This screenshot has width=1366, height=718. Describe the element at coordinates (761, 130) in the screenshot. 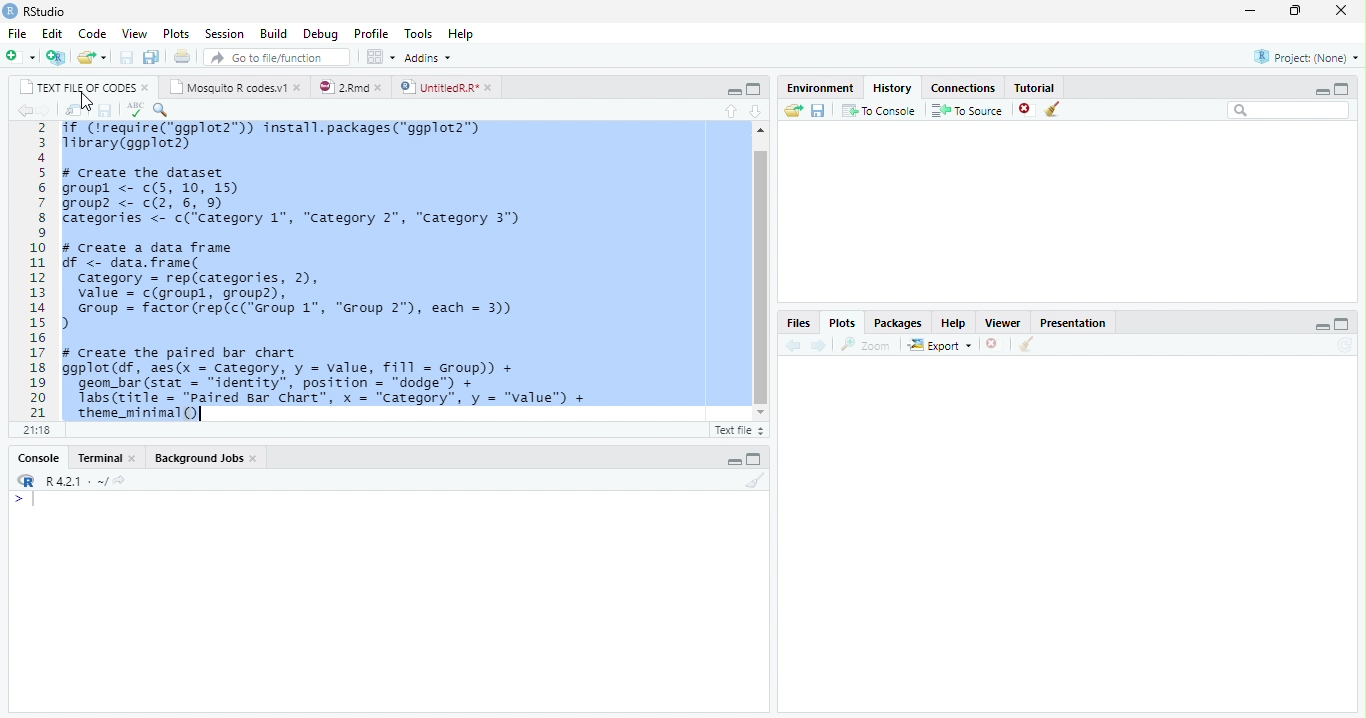

I see `scroll up` at that location.